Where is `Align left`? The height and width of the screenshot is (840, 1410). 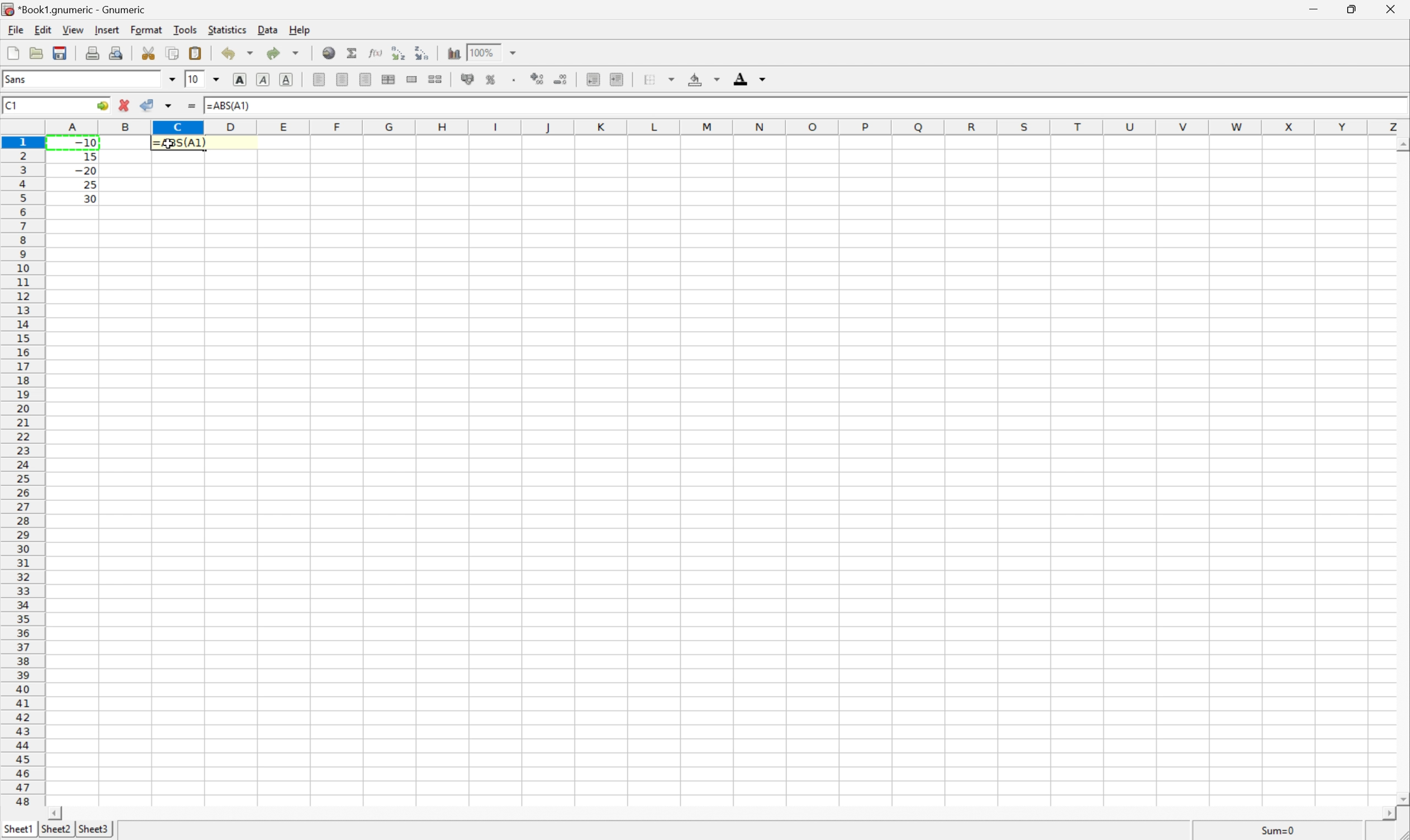
Align left is located at coordinates (318, 78).